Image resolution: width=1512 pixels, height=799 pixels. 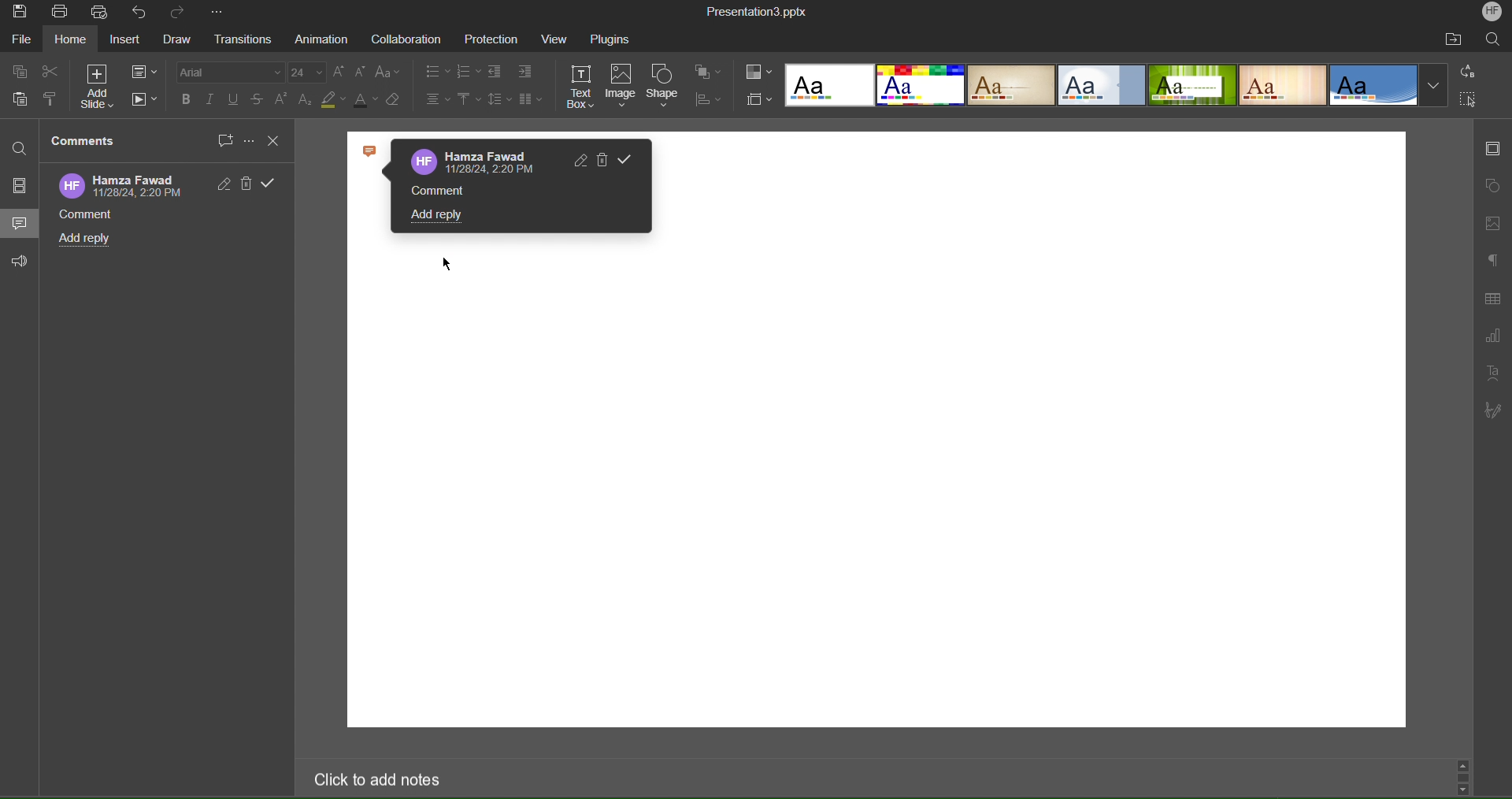 I want to click on Click to add notes, so click(x=372, y=779).